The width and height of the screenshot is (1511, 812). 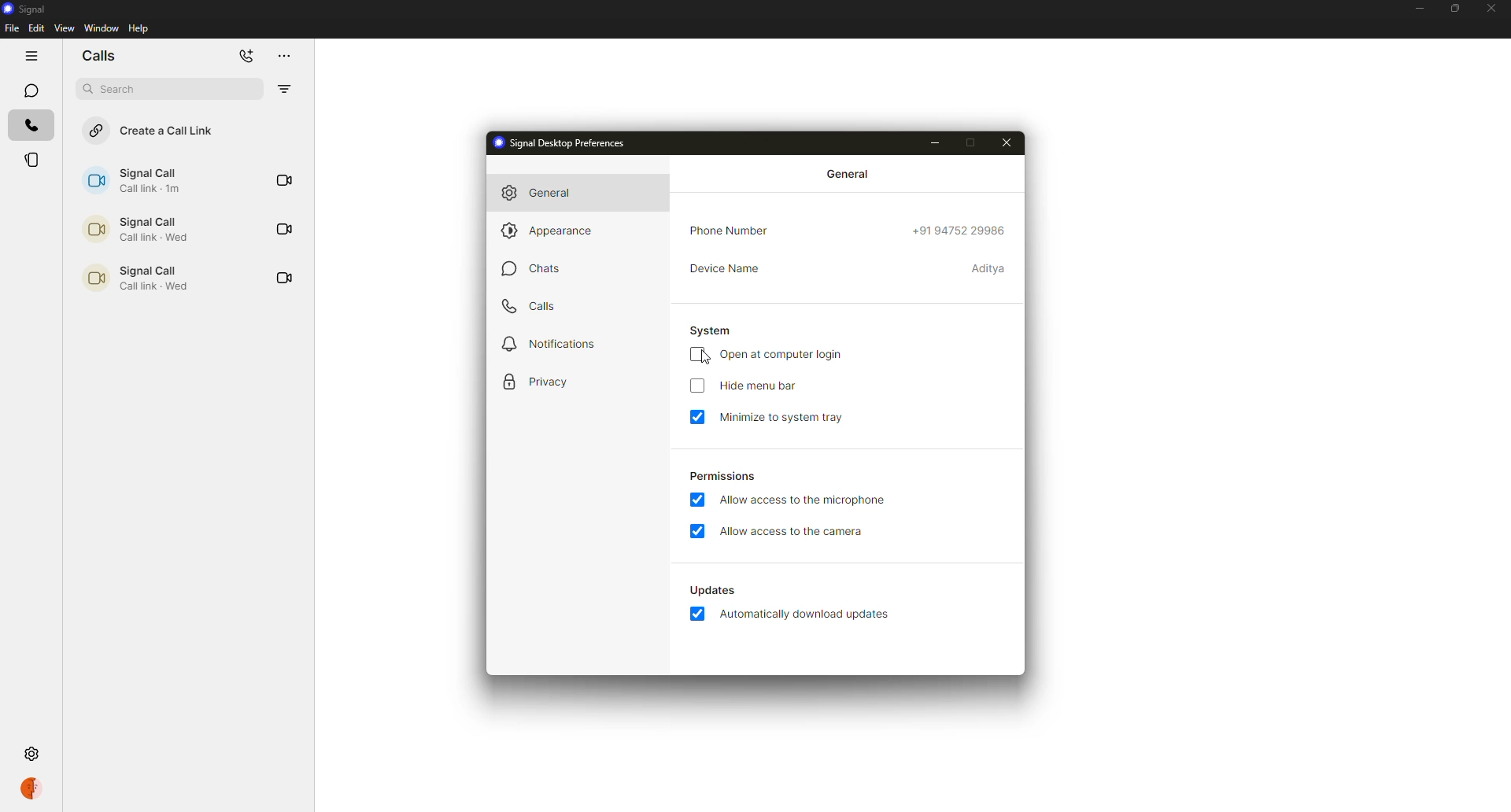 What do you see at coordinates (1418, 10) in the screenshot?
I see `minimize` at bounding box center [1418, 10].